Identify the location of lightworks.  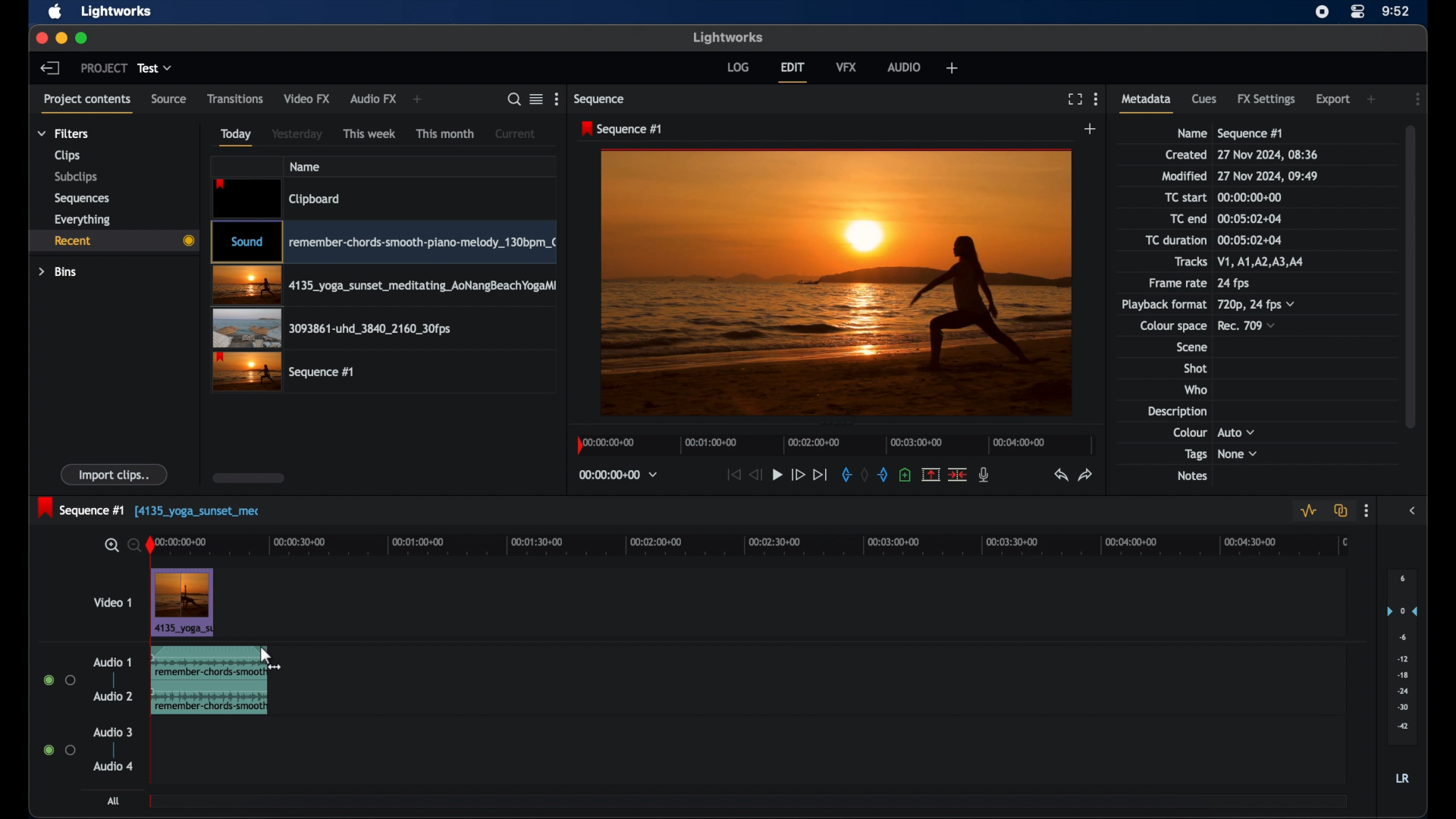
(115, 12).